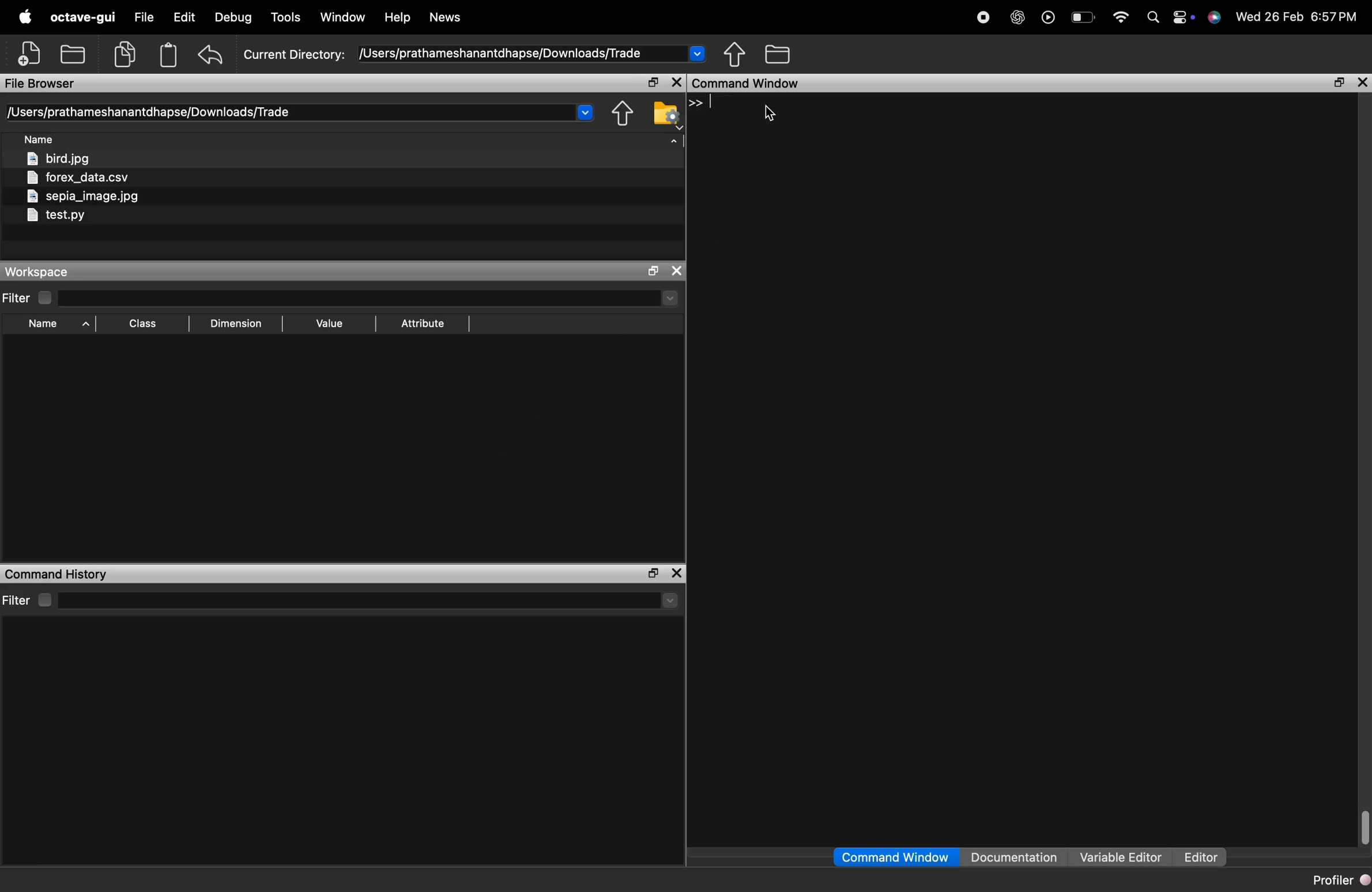  What do you see at coordinates (1124, 18) in the screenshot?
I see `wifi` at bounding box center [1124, 18].